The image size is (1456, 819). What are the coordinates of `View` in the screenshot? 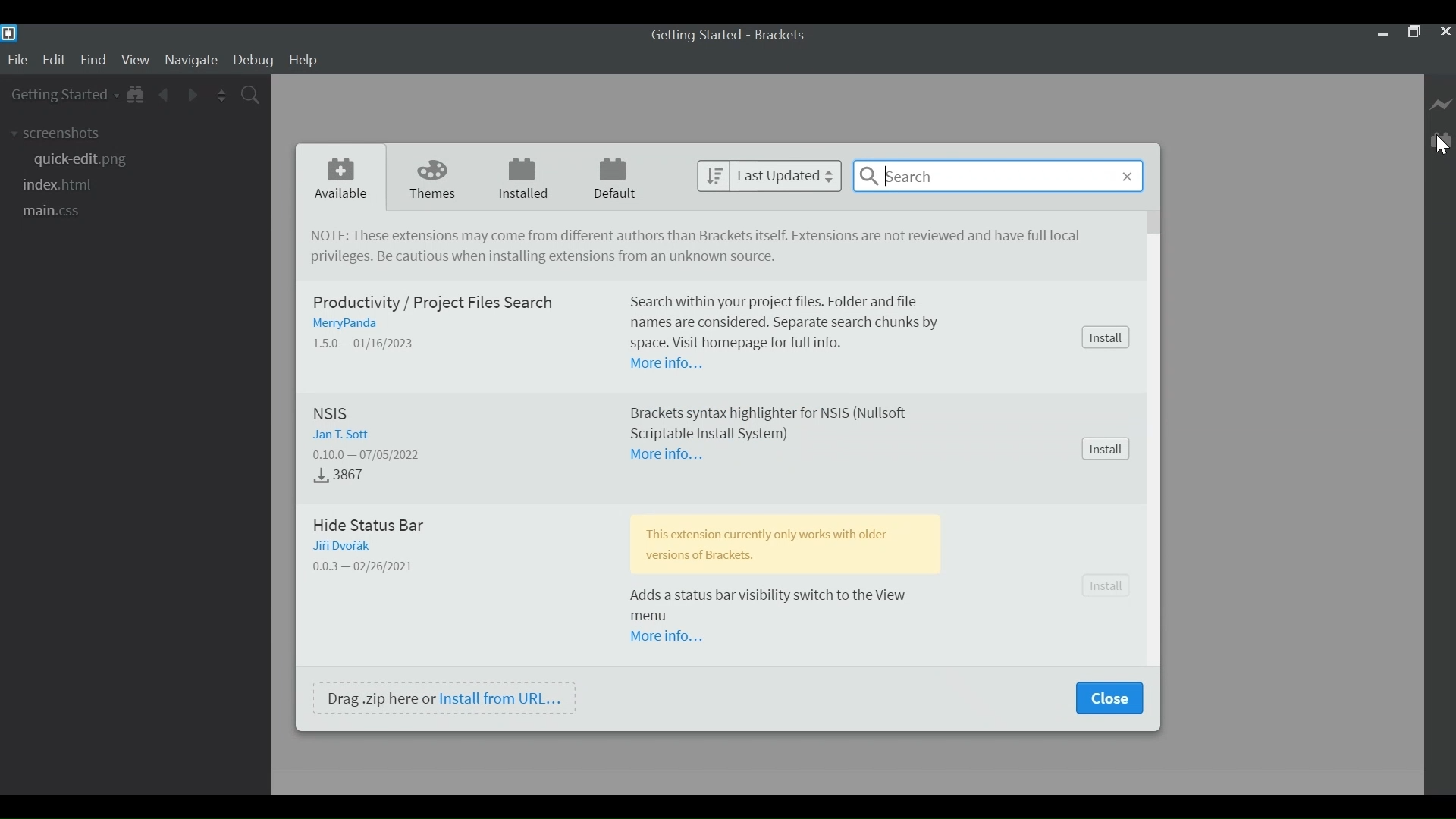 It's located at (136, 61).